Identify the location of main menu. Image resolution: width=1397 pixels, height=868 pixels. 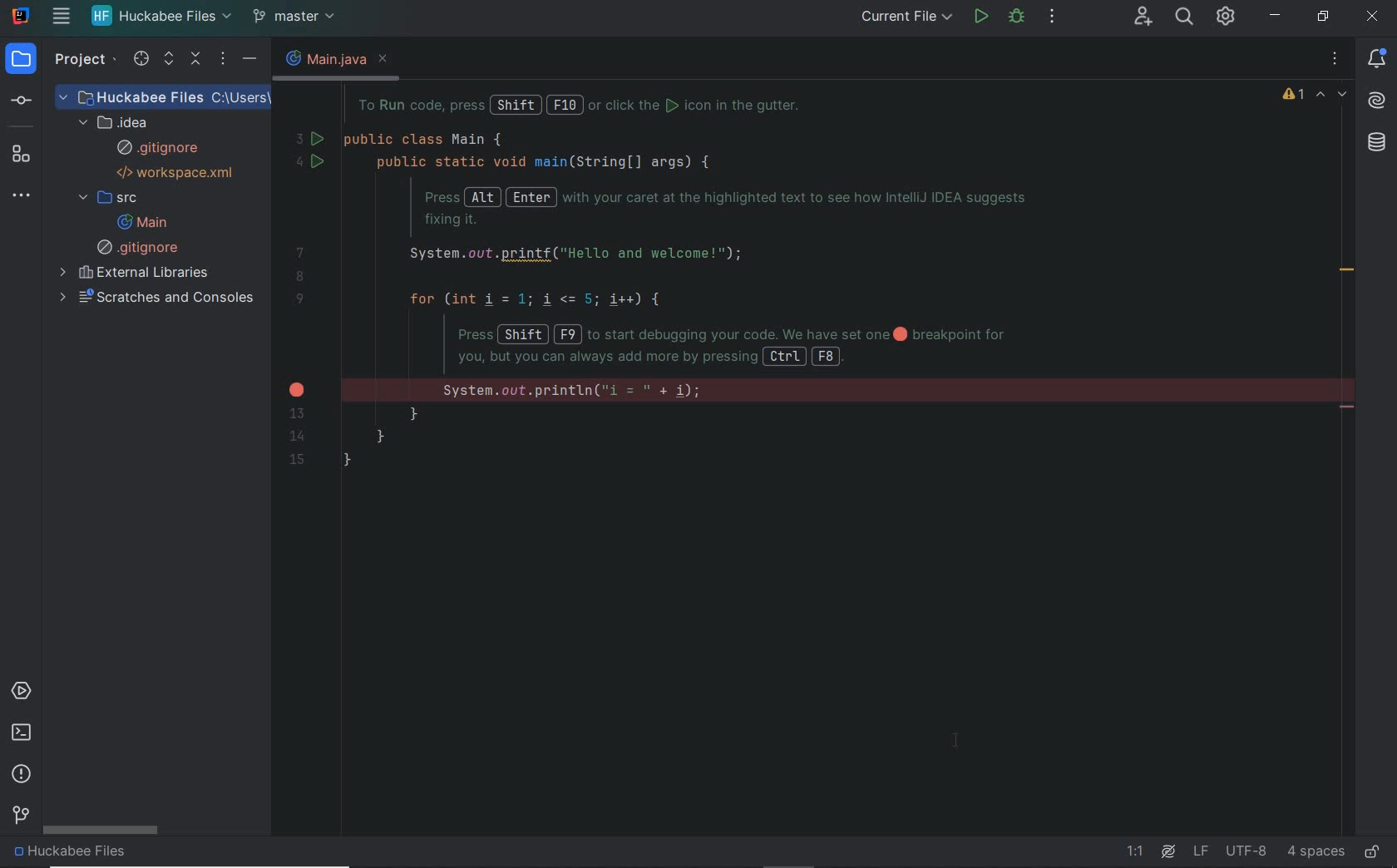
(61, 18).